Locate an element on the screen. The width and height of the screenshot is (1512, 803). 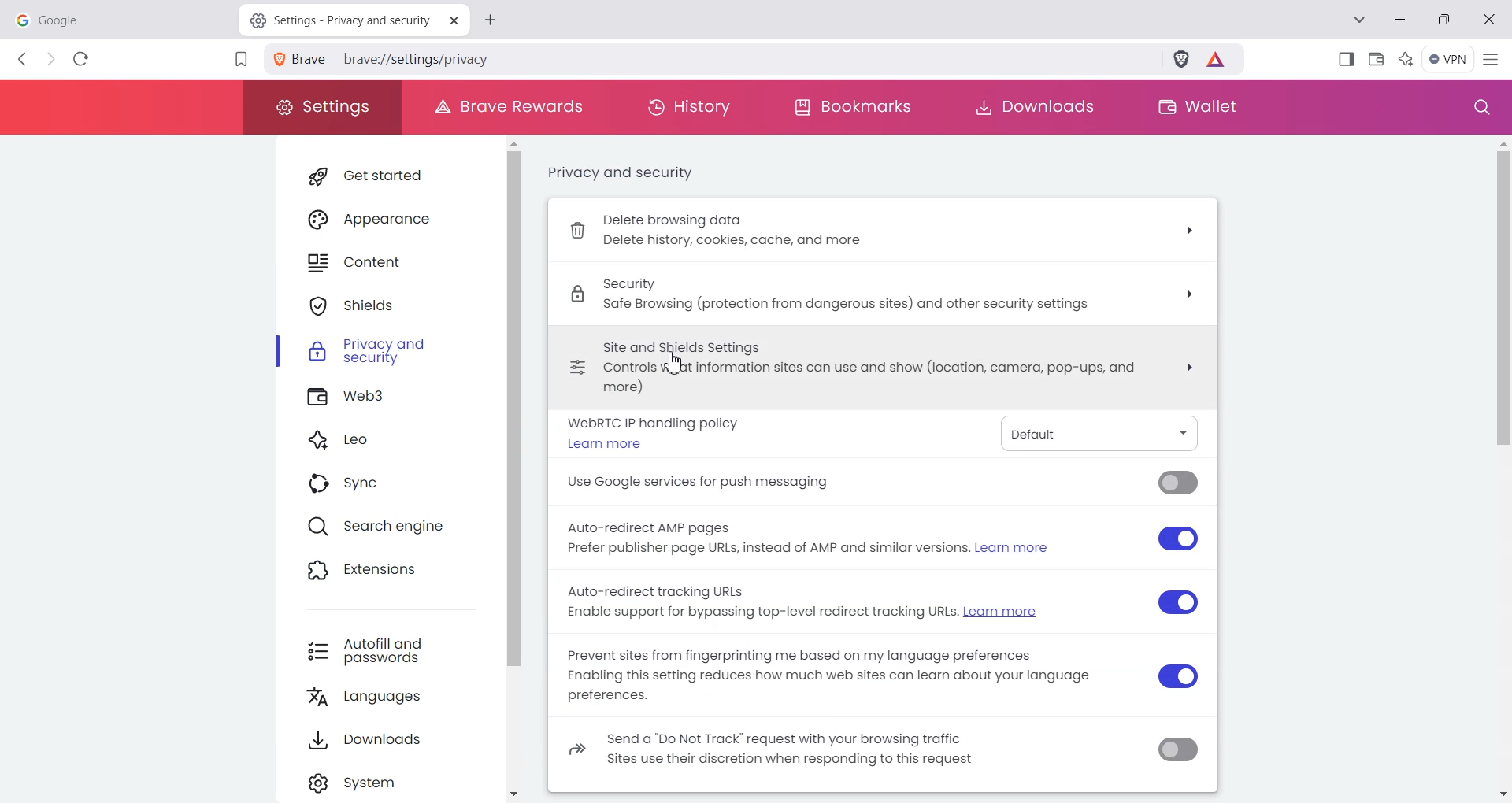
Search tab is located at coordinates (1362, 21).